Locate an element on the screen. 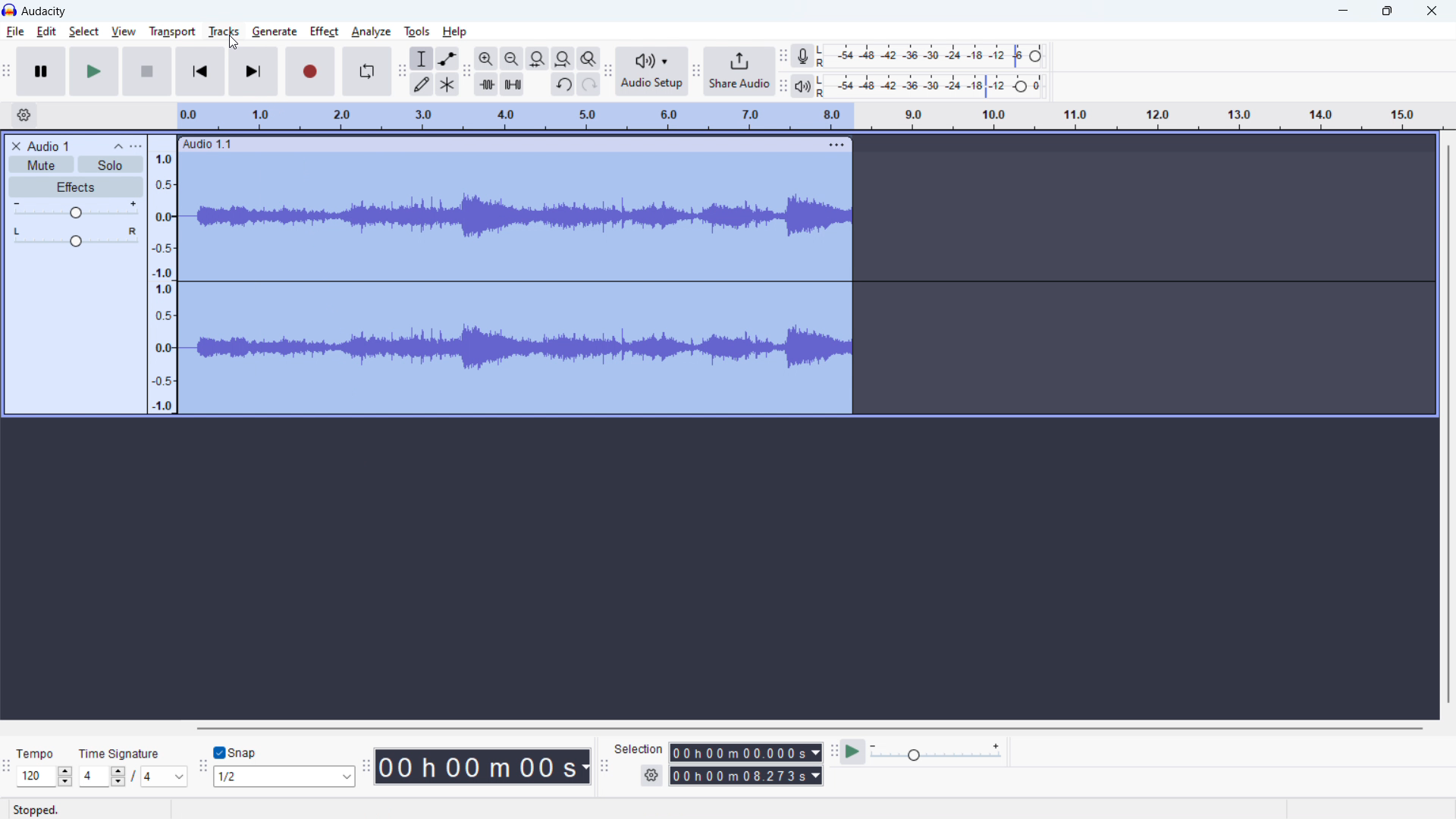 The image size is (1456, 819). track options is located at coordinates (836, 144).